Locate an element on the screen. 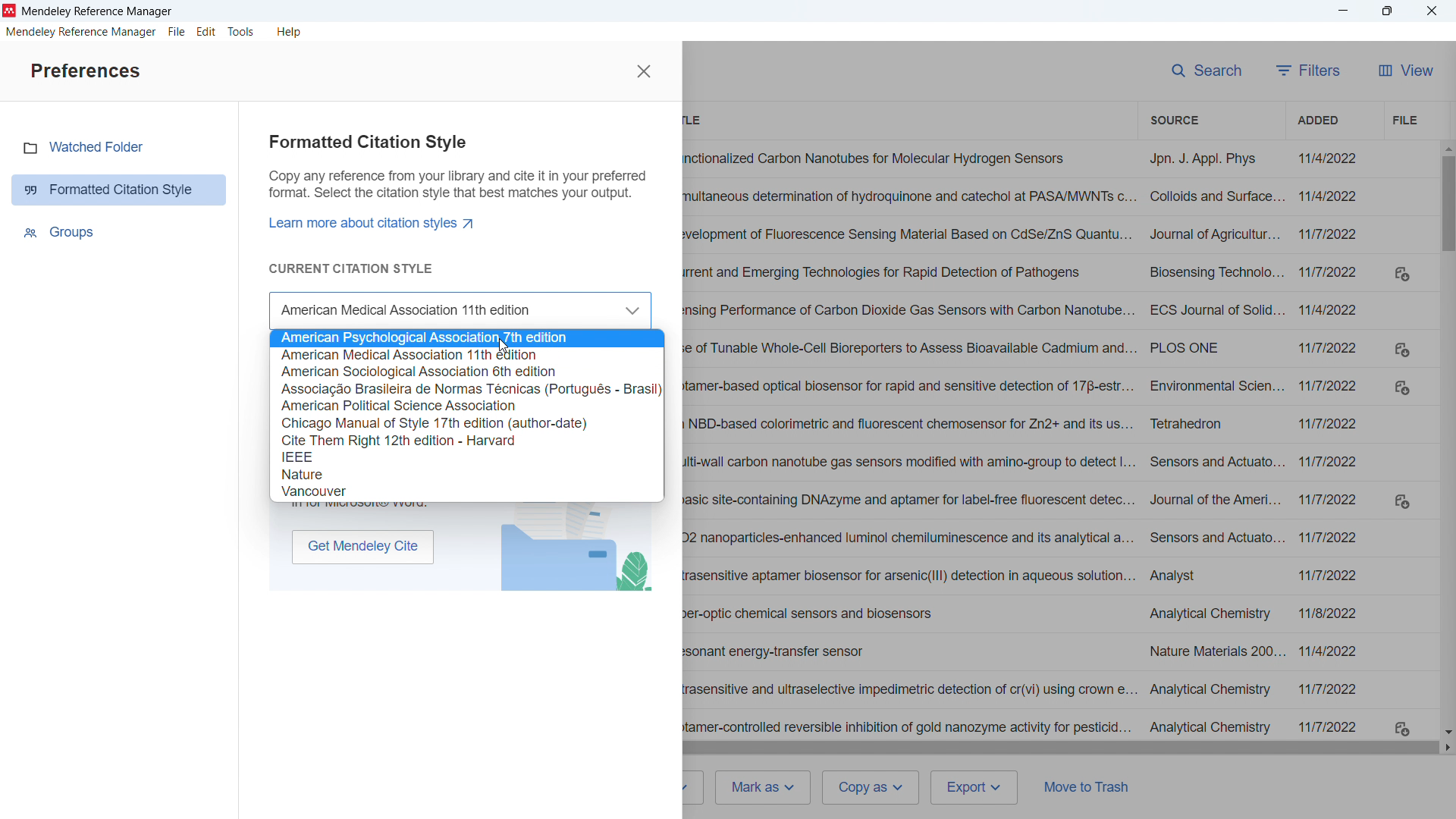 The height and width of the screenshot is (819, 1456). Watched folder  is located at coordinates (98, 147).